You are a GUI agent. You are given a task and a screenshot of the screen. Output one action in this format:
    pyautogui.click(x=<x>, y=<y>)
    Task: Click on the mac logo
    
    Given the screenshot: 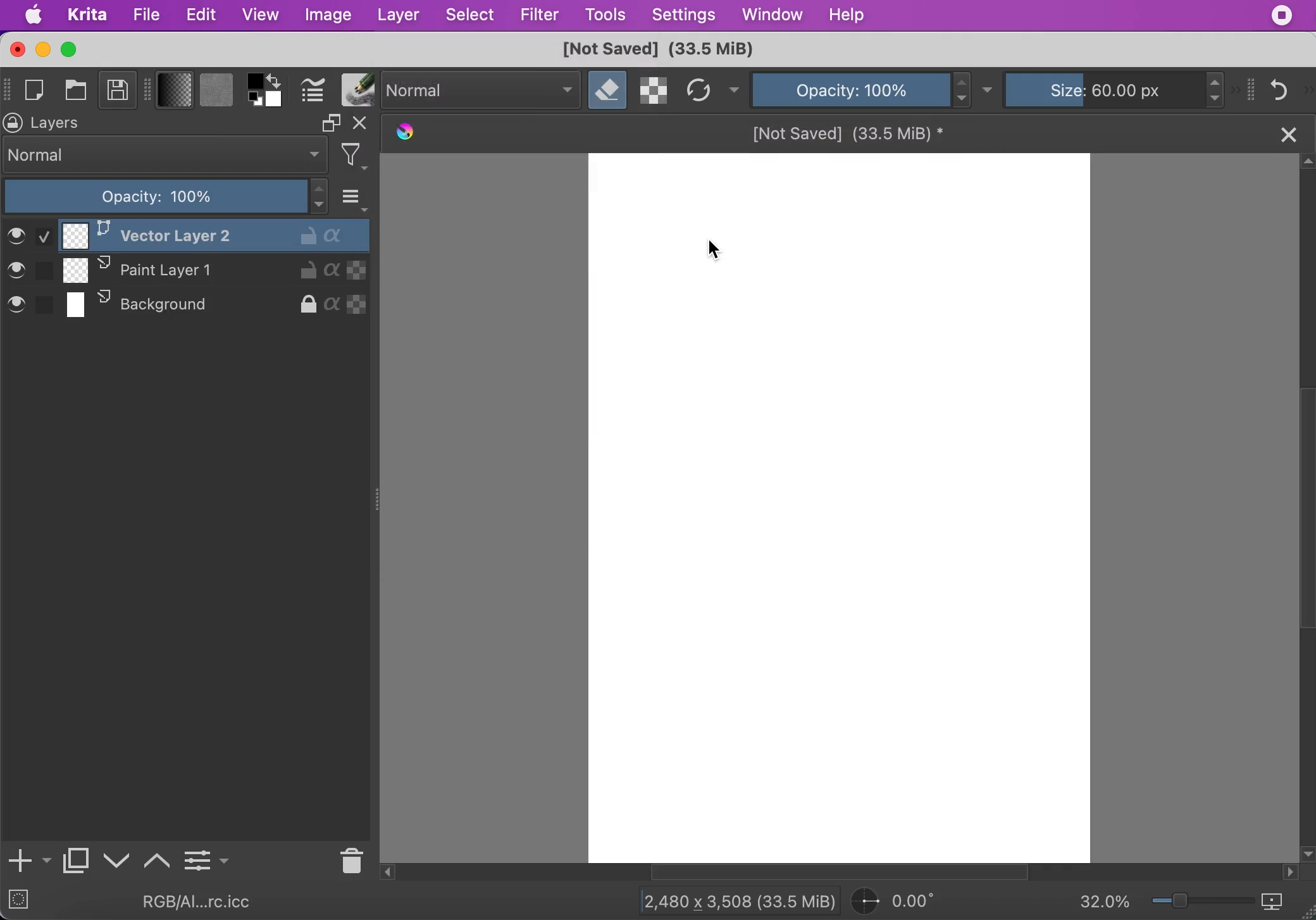 What is the action you would take?
    pyautogui.click(x=35, y=16)
    